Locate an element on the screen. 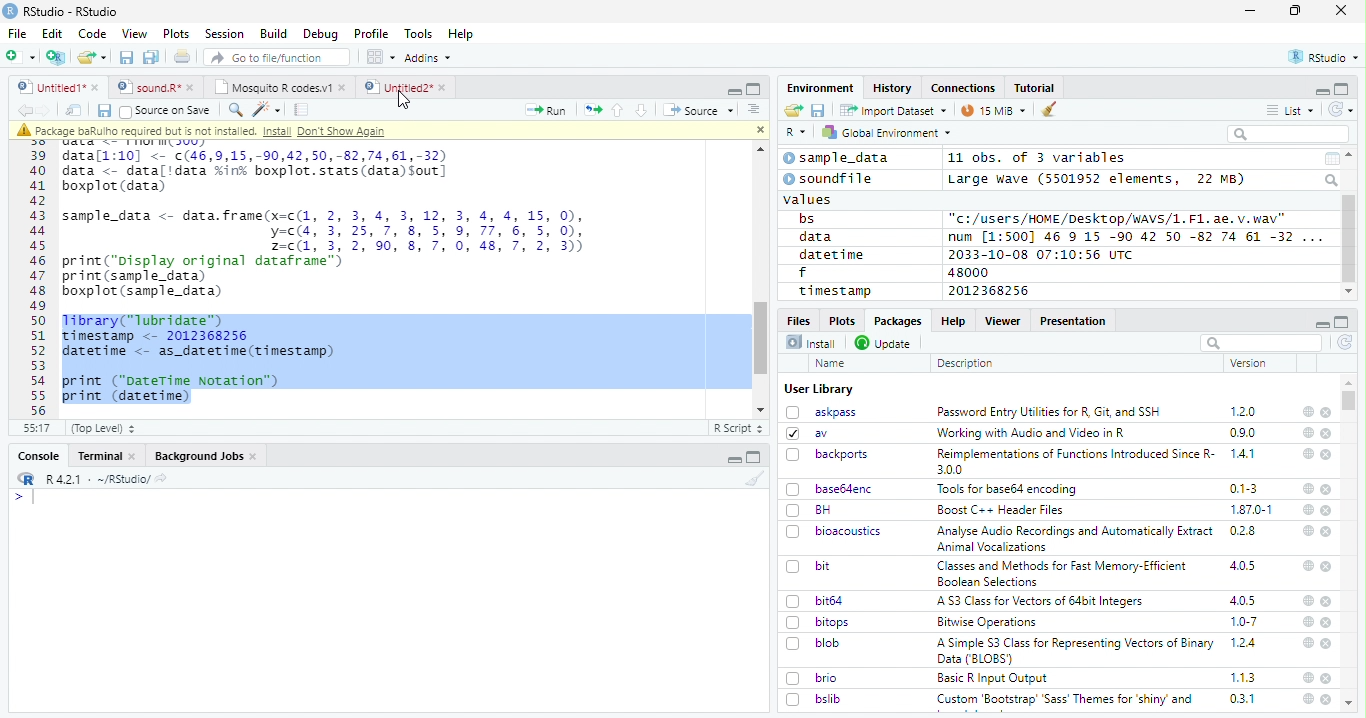 The width and height of the screenshot is (1366, 718). datetime is located at coordinates (831, 254).